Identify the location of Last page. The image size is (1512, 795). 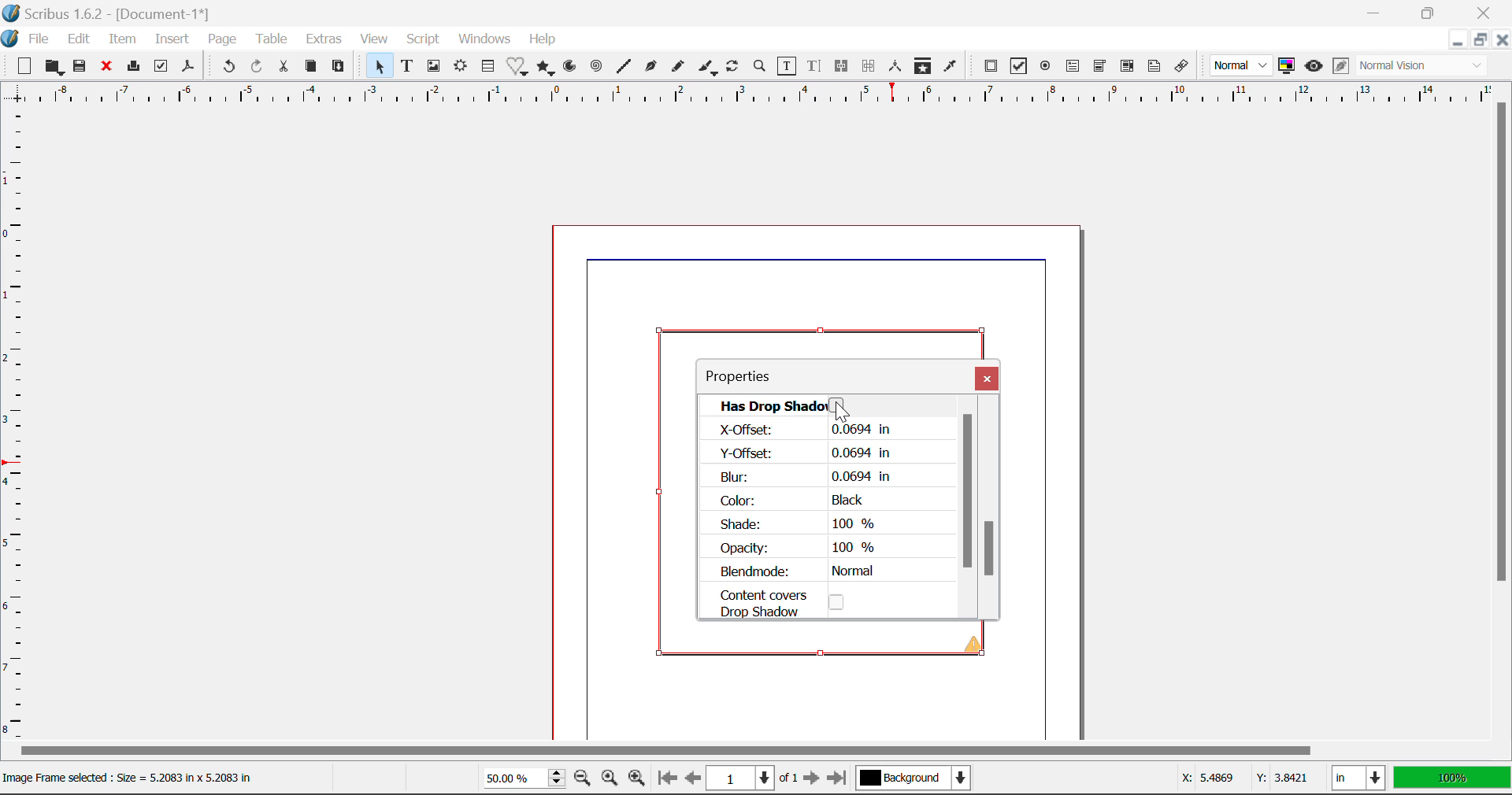
(840, 775).